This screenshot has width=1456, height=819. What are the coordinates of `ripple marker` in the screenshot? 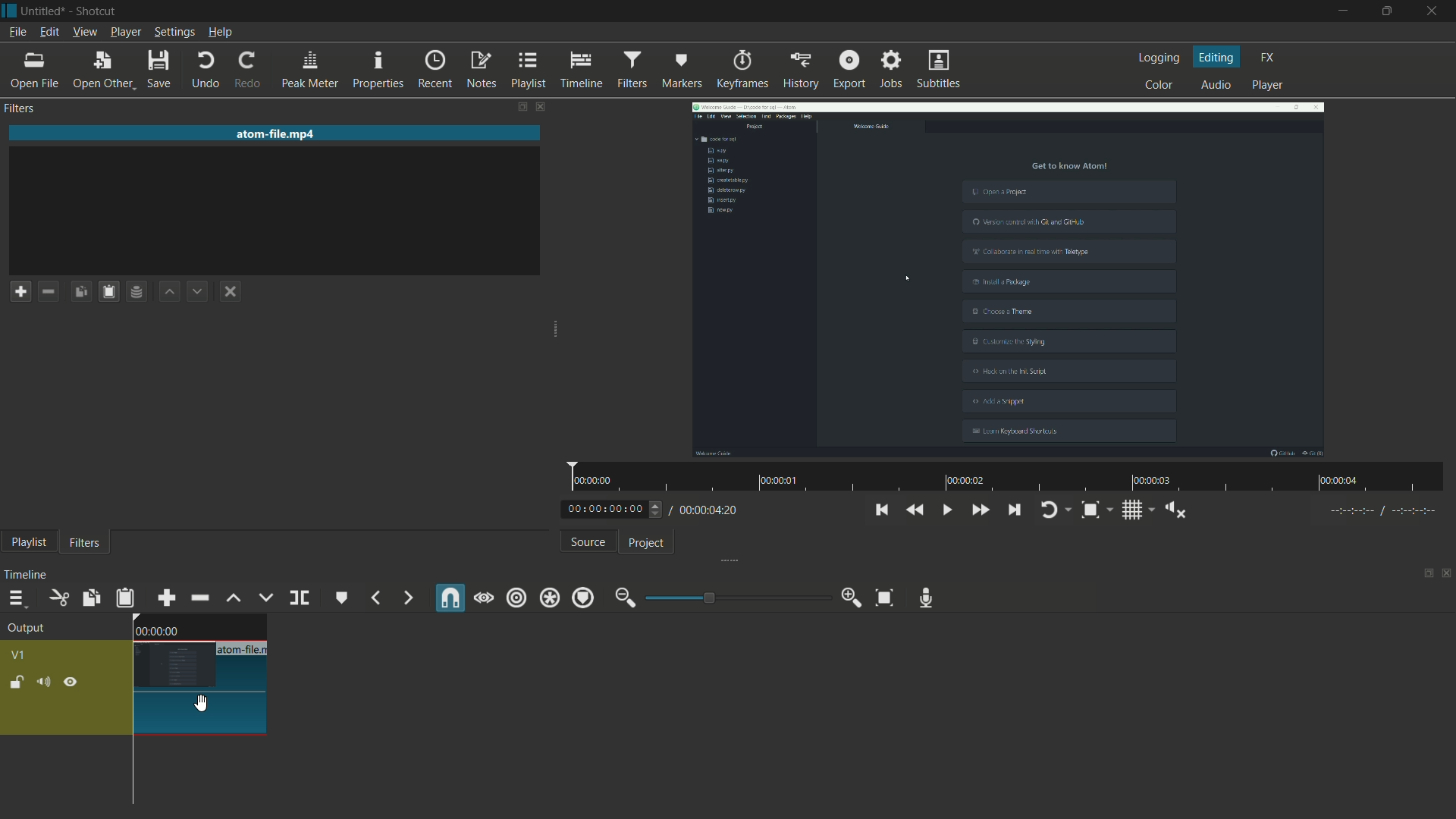 It's located at (583, 598).